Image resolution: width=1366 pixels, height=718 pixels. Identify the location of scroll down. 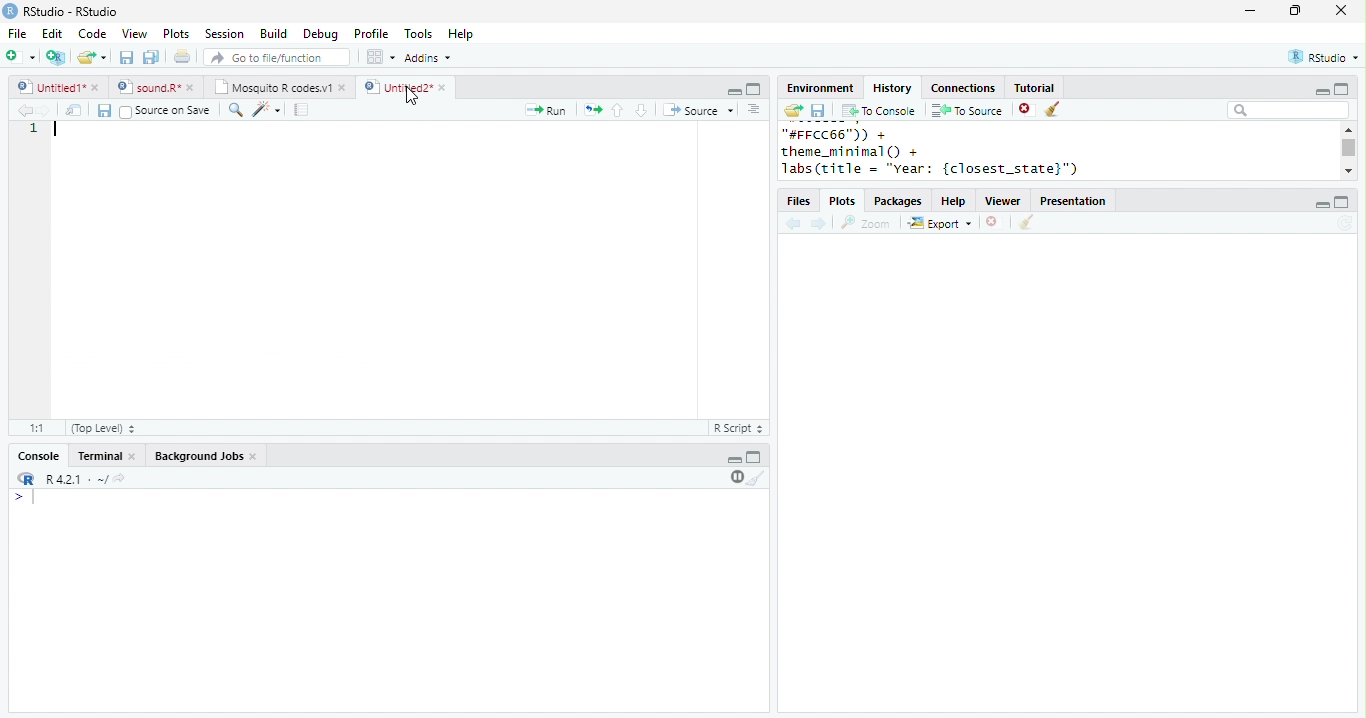
(1348, 170).